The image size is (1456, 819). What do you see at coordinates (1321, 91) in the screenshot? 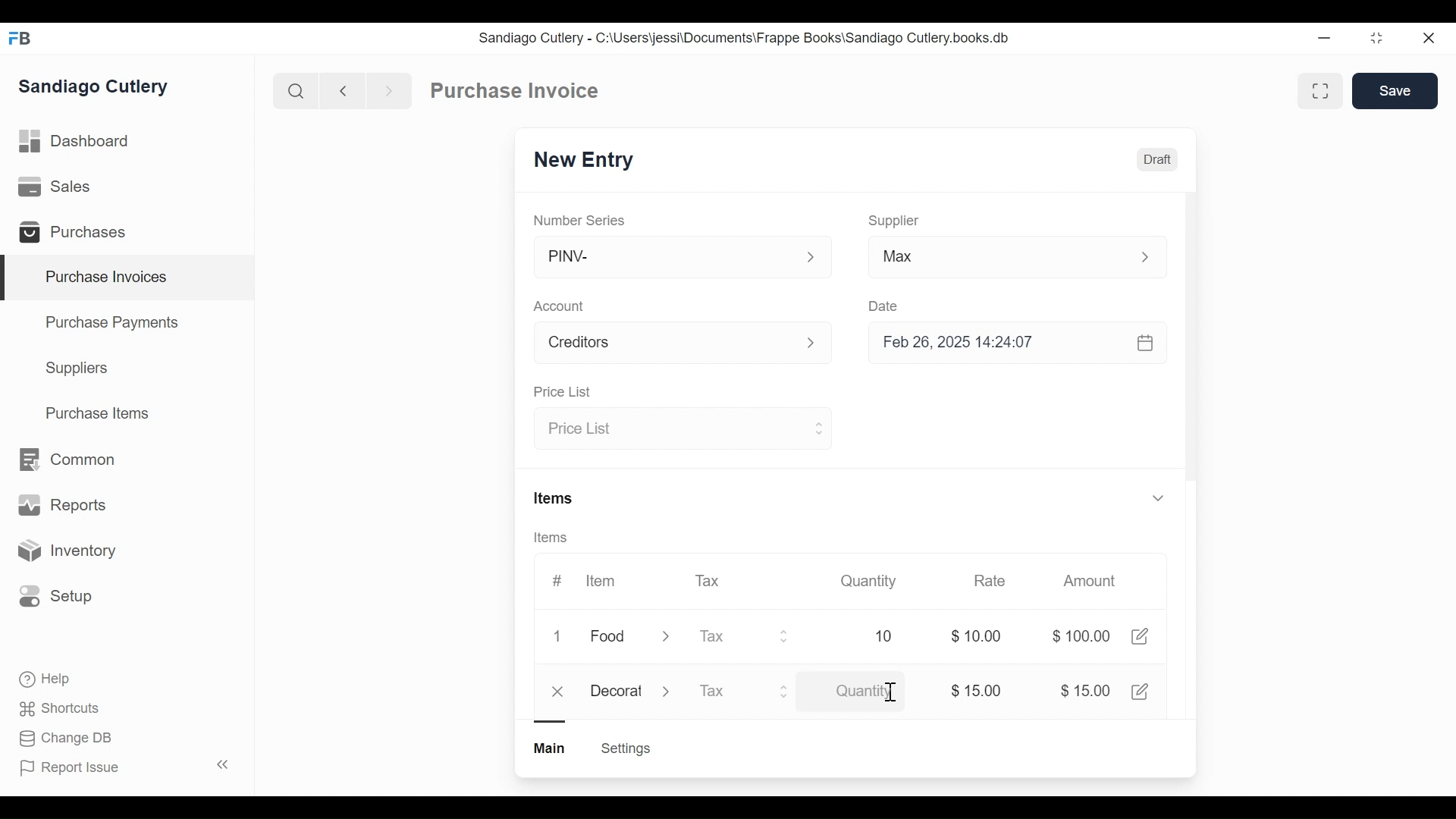
I see `Toggle between form and full view` at bounding box center [1321, 91].